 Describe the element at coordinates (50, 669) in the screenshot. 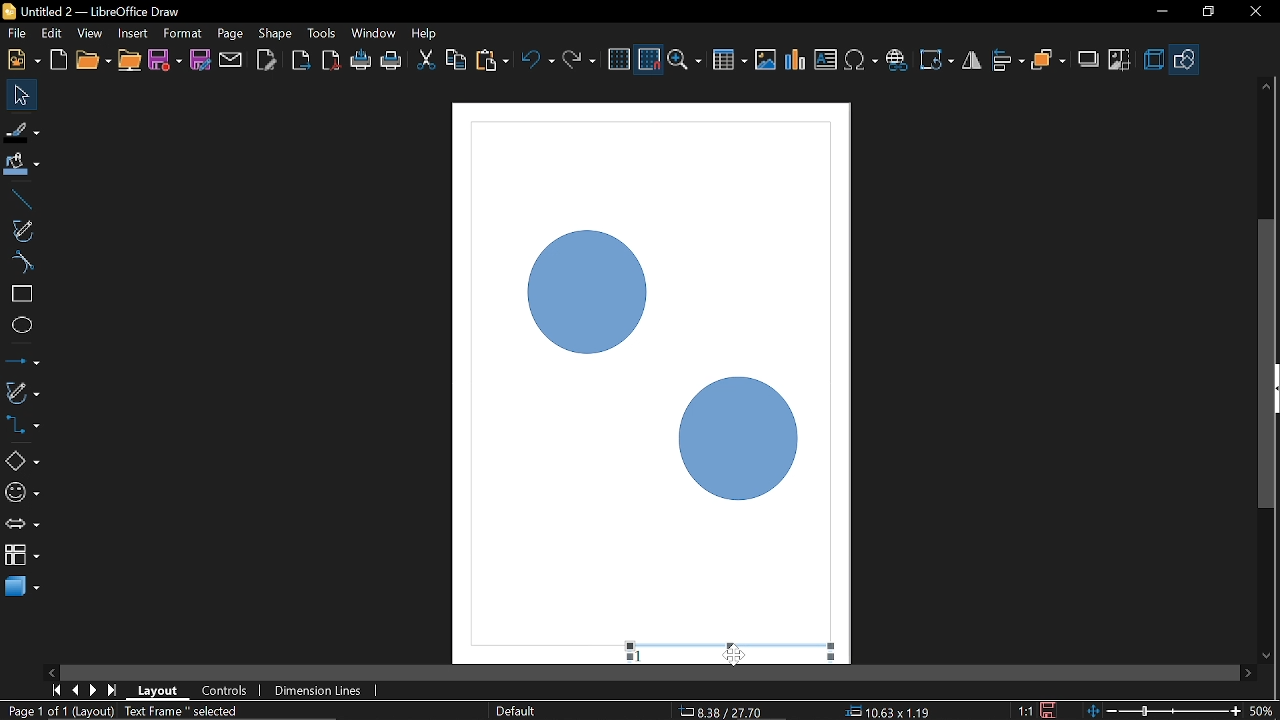

I see `Move left` at that location.